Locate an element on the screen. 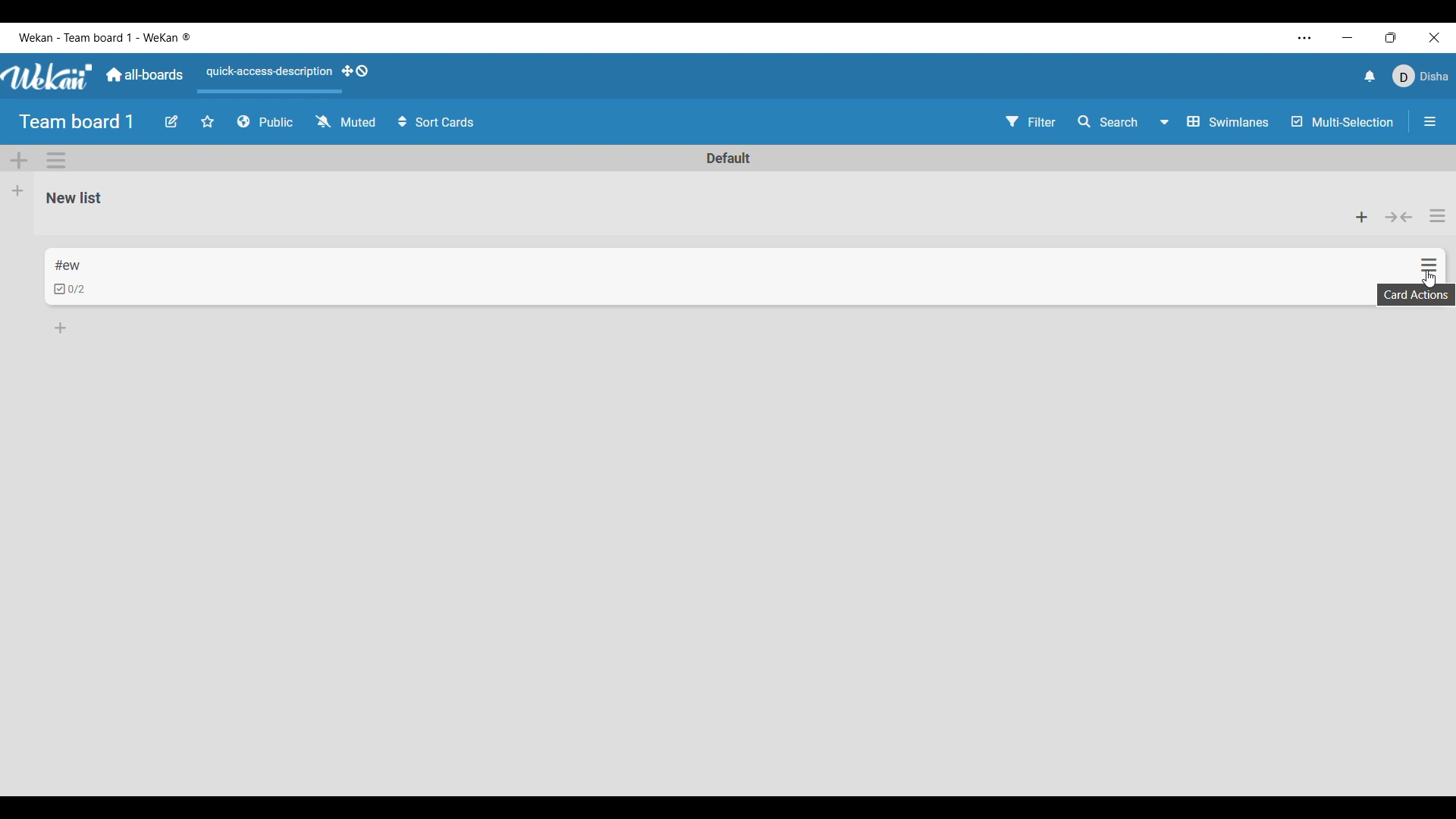 This screenshot has height=819, width=1456. List name is located at coordinates (74, 199).